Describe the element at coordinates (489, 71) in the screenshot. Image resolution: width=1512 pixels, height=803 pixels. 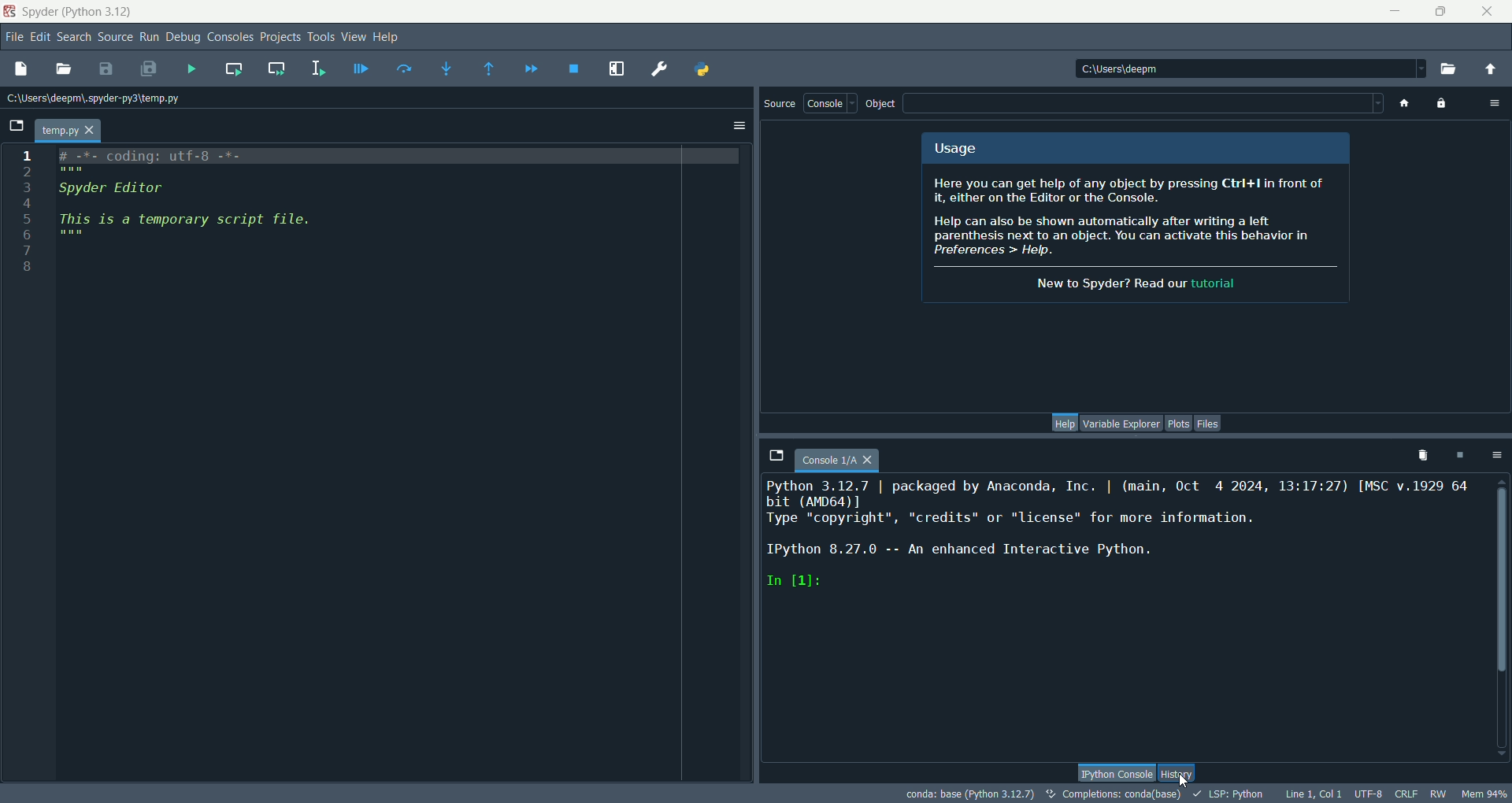
I see `run until current function returns` at that location.